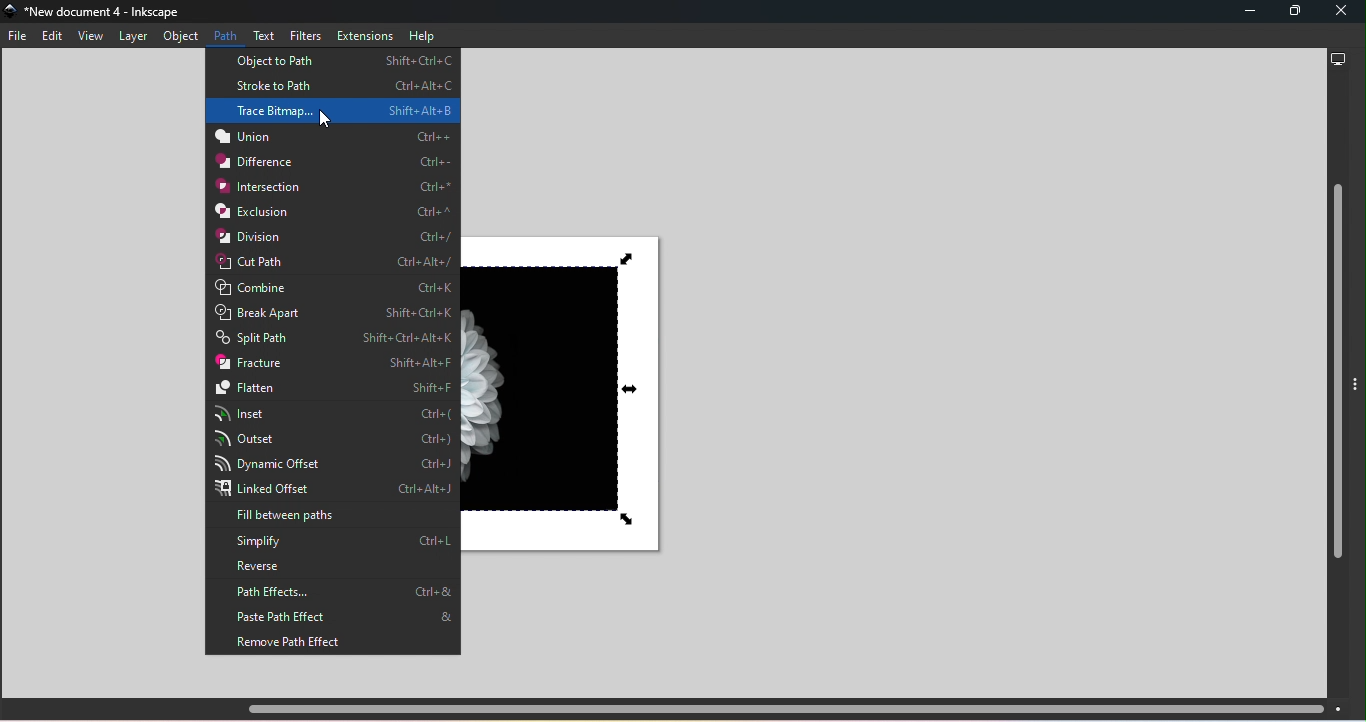 The width and height of the screenshot is (1366, 722). Describe the element at coordinates (51, 37) in the screenshot. I see `Edit` at that location.